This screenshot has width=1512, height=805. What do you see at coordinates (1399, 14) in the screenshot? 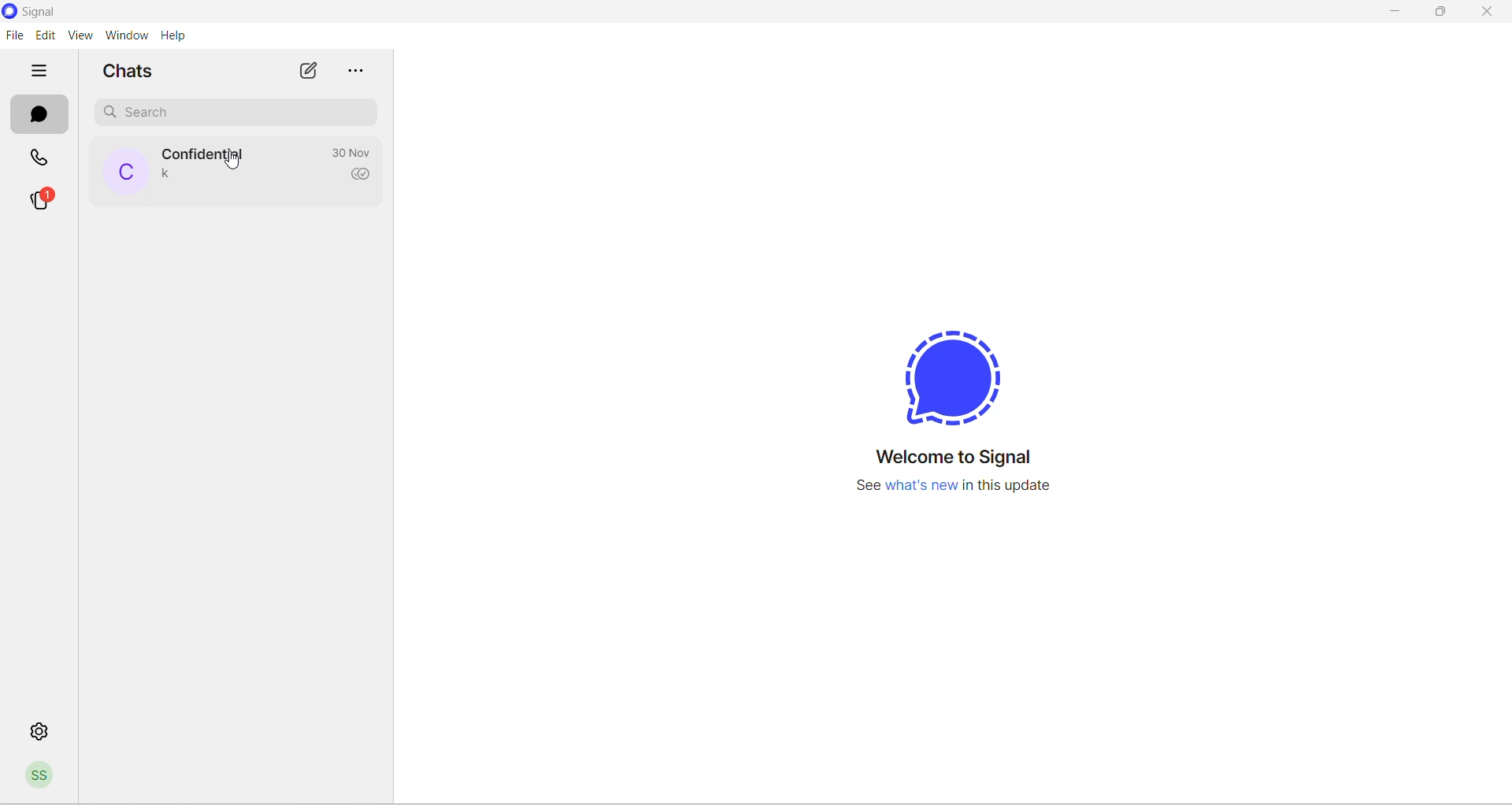
I see `minimize` at bounding box center [1399, 14].